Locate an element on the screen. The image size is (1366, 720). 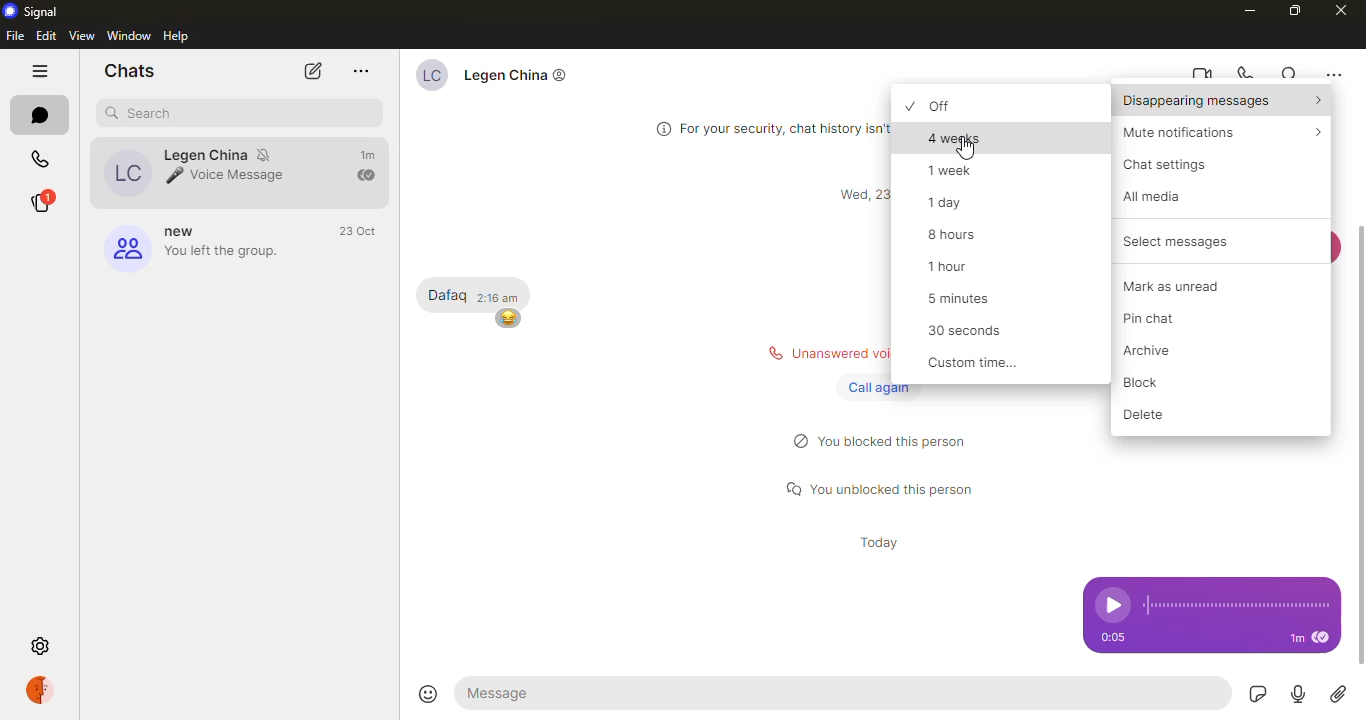
record is located at coordinates (1298, 695).